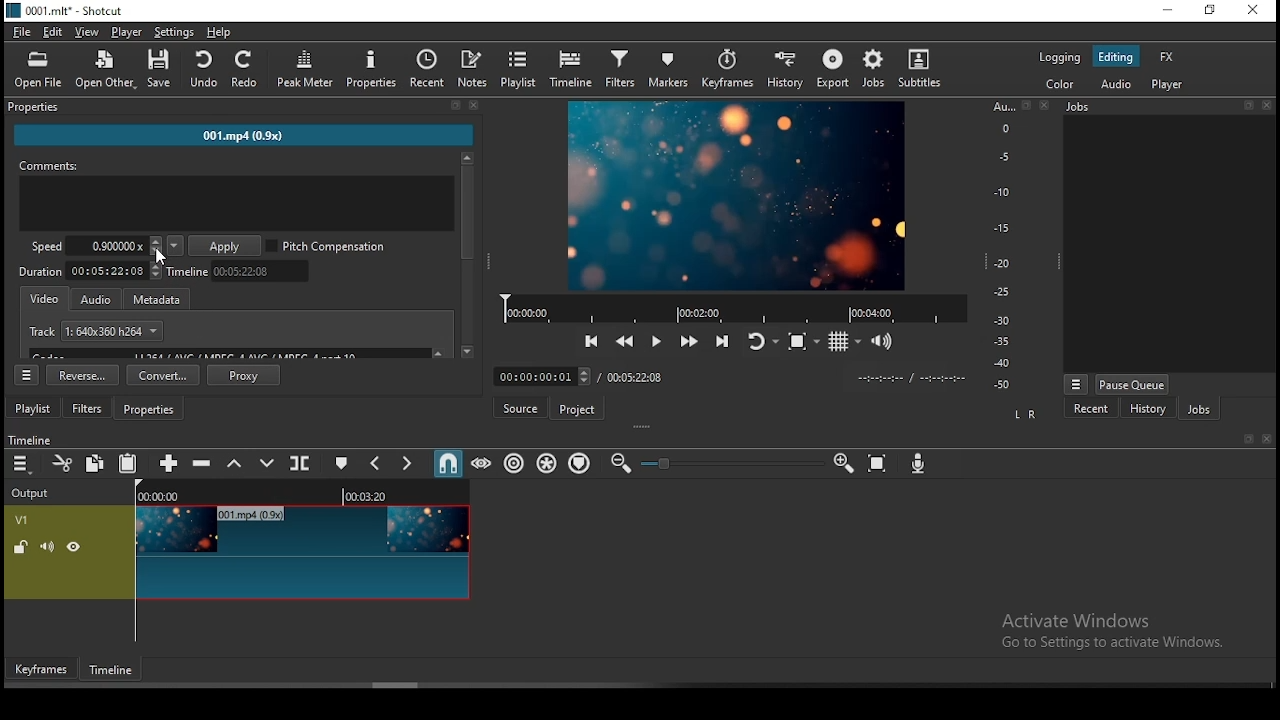 The width and height of the screenshot is (1280, 720). I want to click on copy, so click(95, 465).